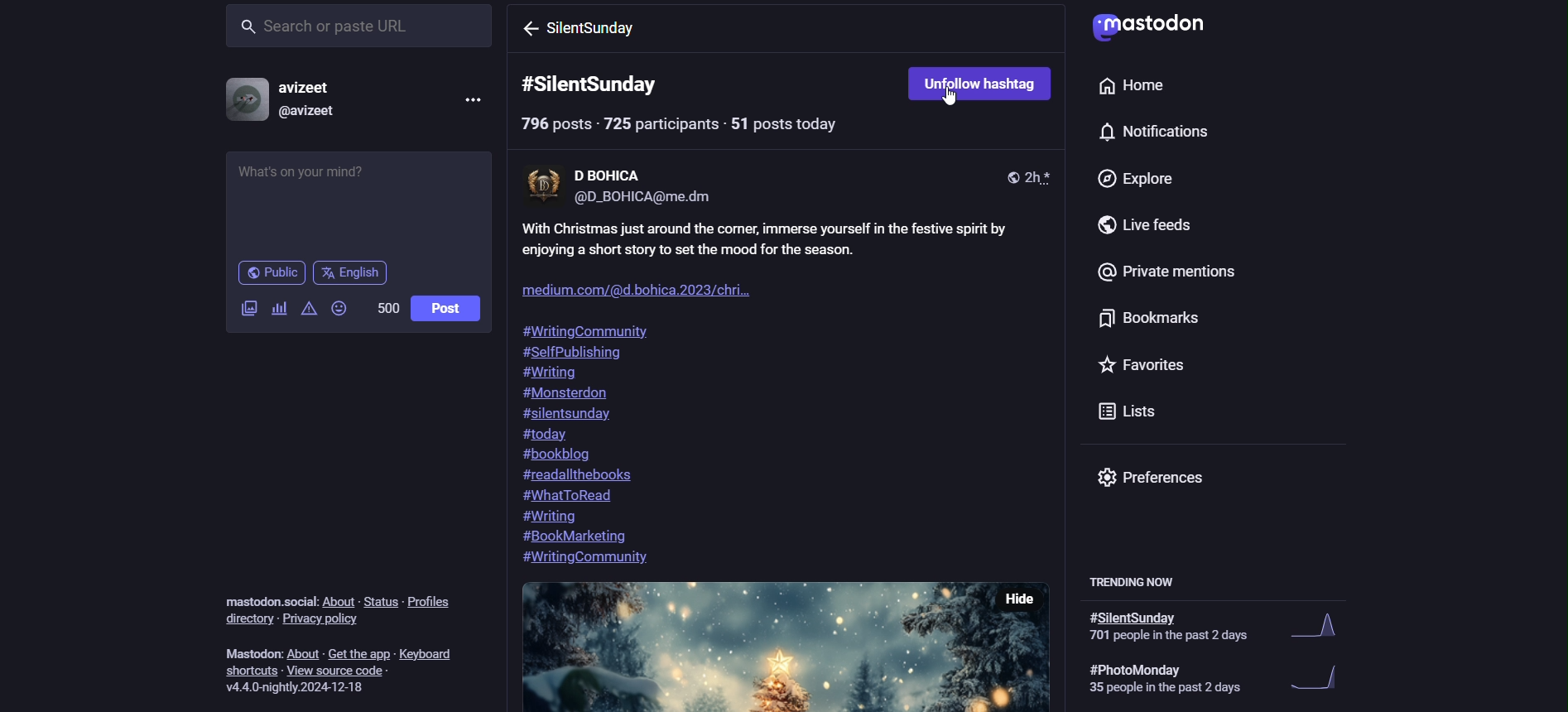 The image size is (1568, 712). What do you see at coordinates (470, 99) in the screenshot?
I see `menu` at bounding box center [470, 99].